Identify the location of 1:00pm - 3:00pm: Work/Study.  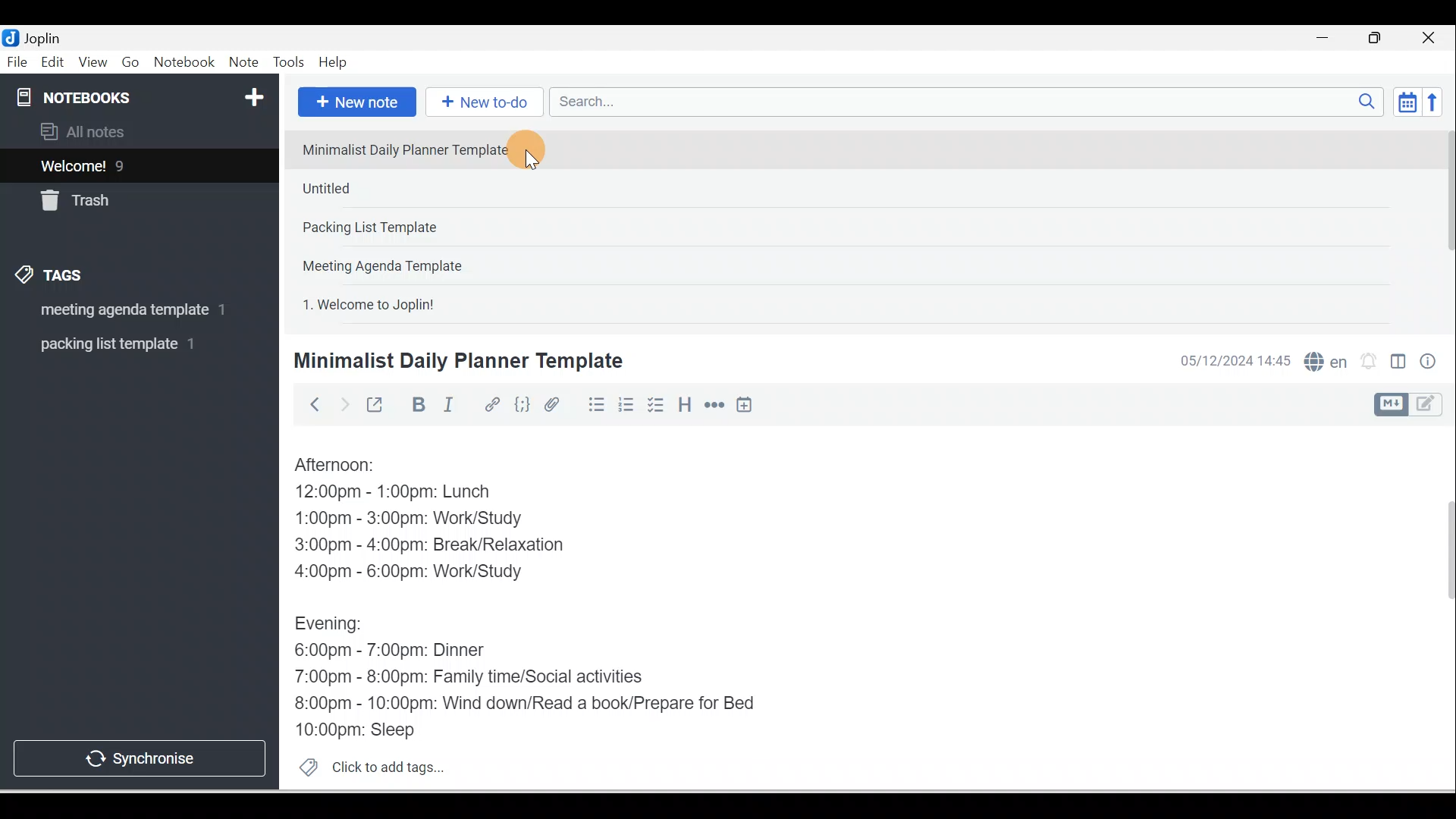
(409, 519).